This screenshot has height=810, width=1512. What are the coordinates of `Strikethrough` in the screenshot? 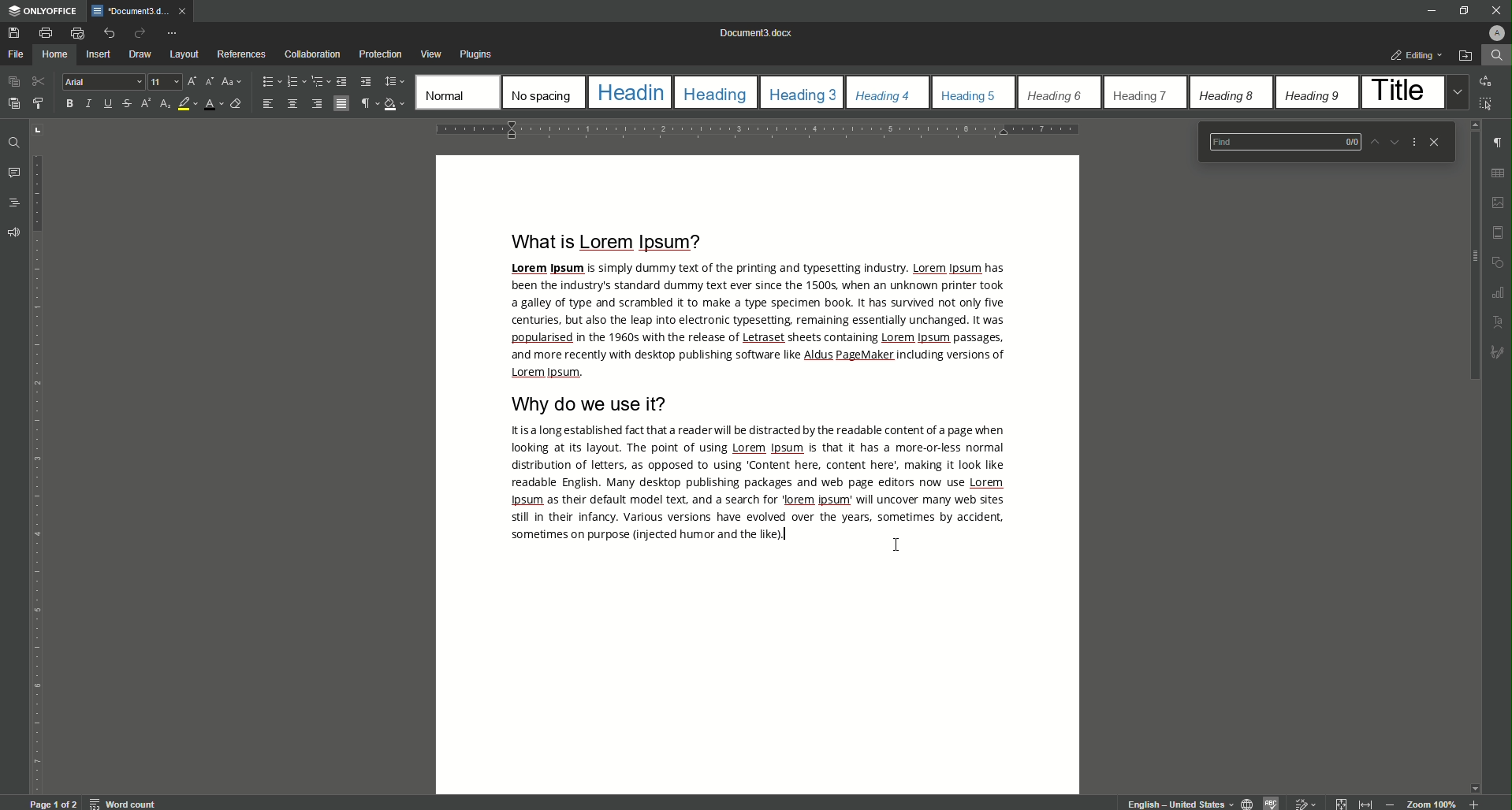 It's located at (125, 104).